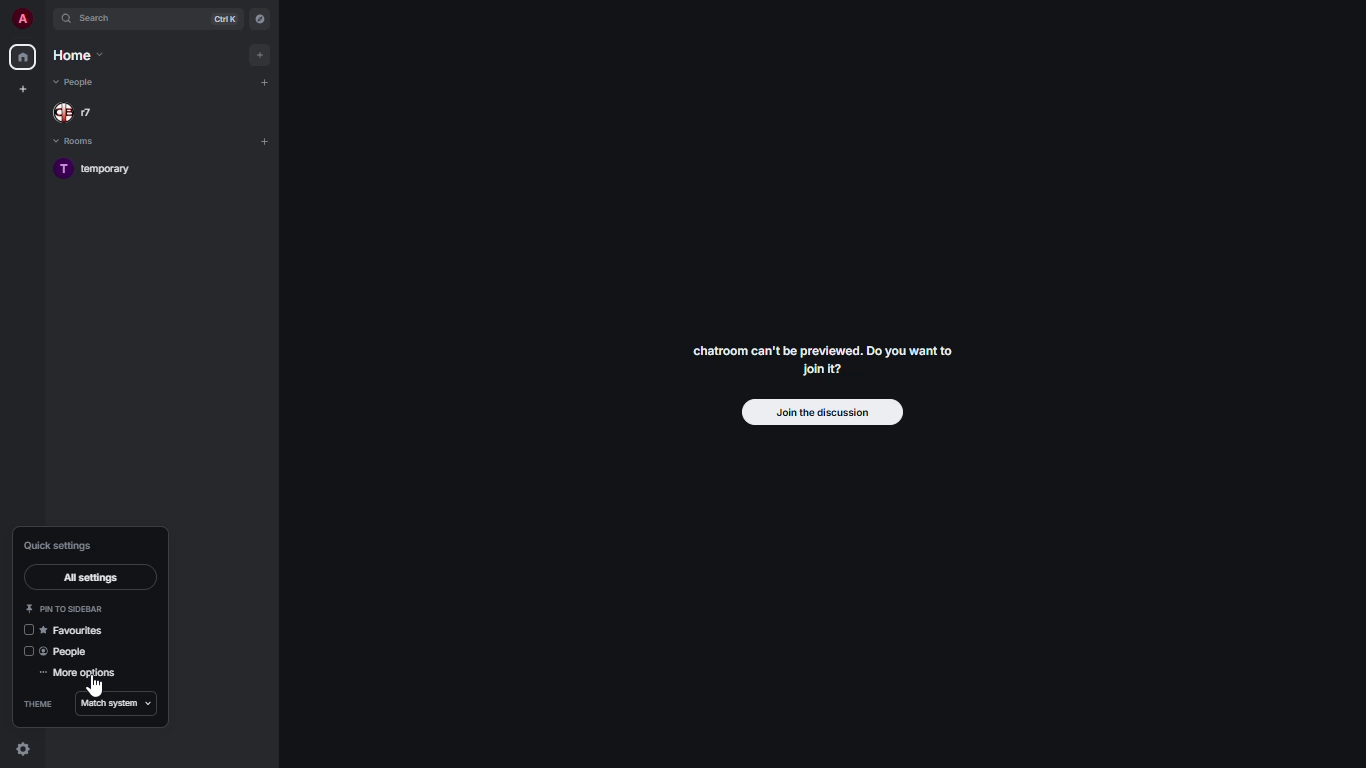 This screenshot has height=768, width=1366. Describe the element at coordinates (264, 142) in the screenshot. I see `add` at that location.